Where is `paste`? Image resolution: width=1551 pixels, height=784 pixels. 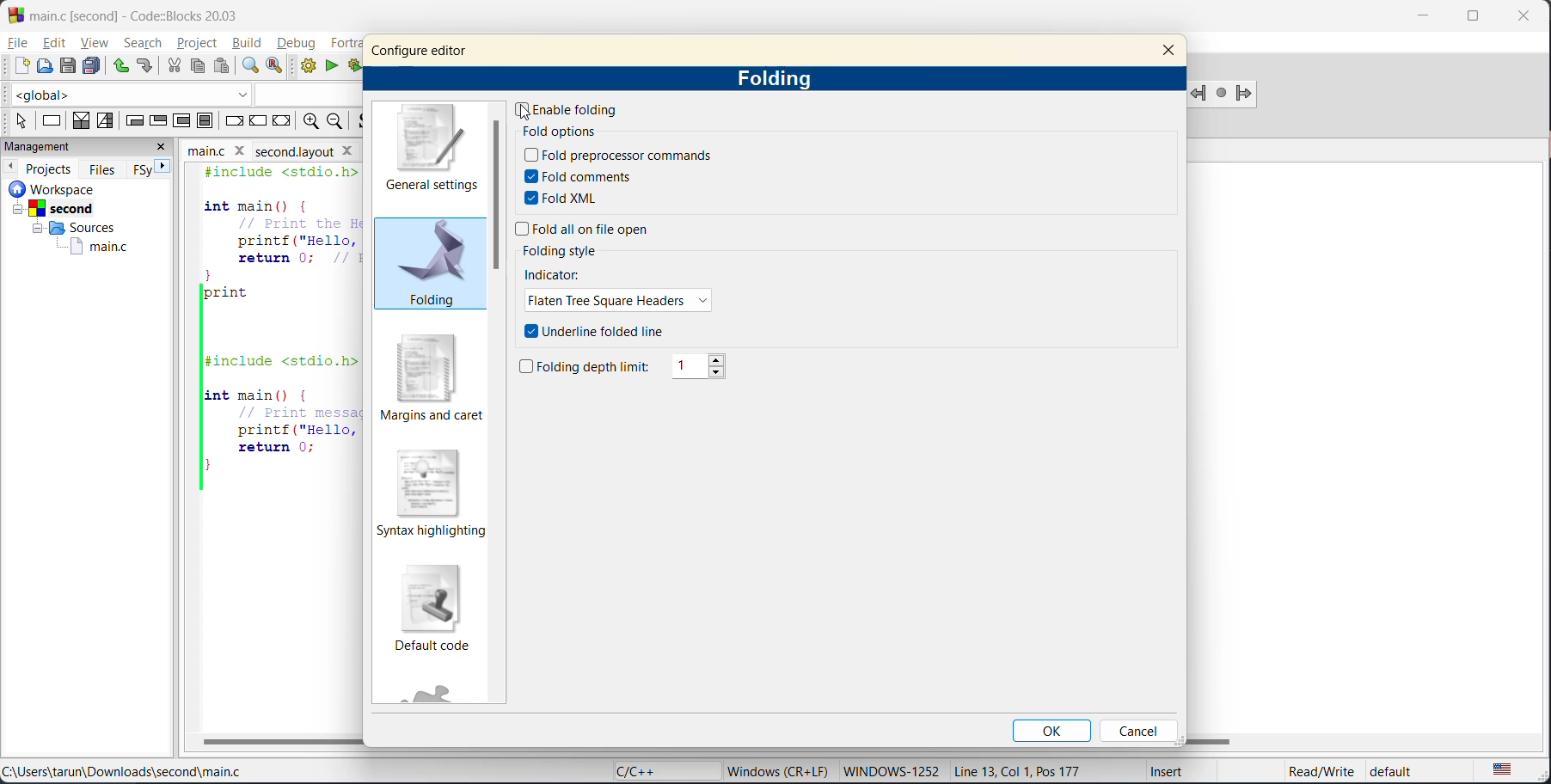
paste is located at coordinates (221, 66).